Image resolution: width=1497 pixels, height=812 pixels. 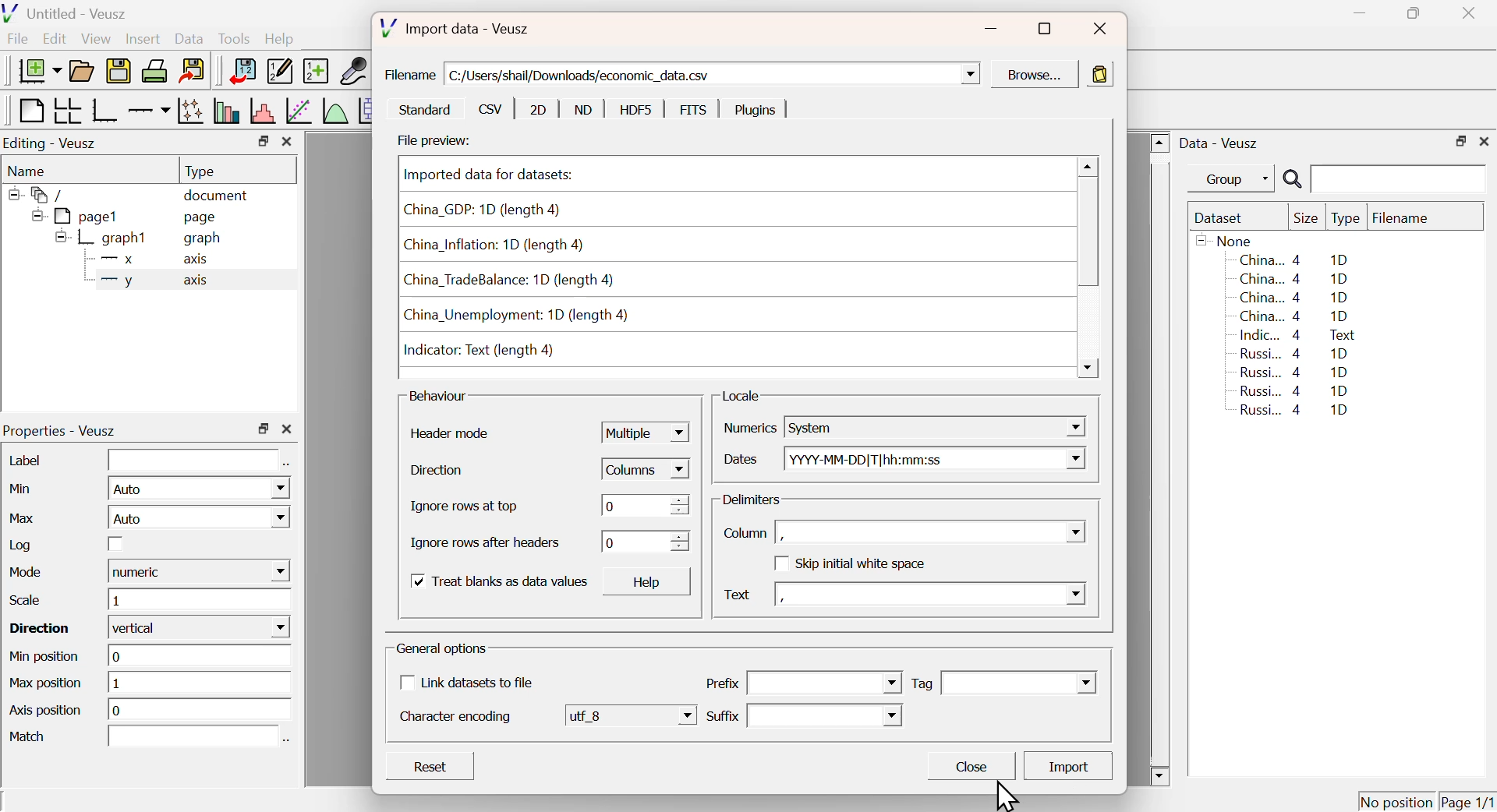 What do you see at coordinates (492, 350) in the screenshot?
I see `Indicator: Text (length 4)` at bounding box center [492, 350].